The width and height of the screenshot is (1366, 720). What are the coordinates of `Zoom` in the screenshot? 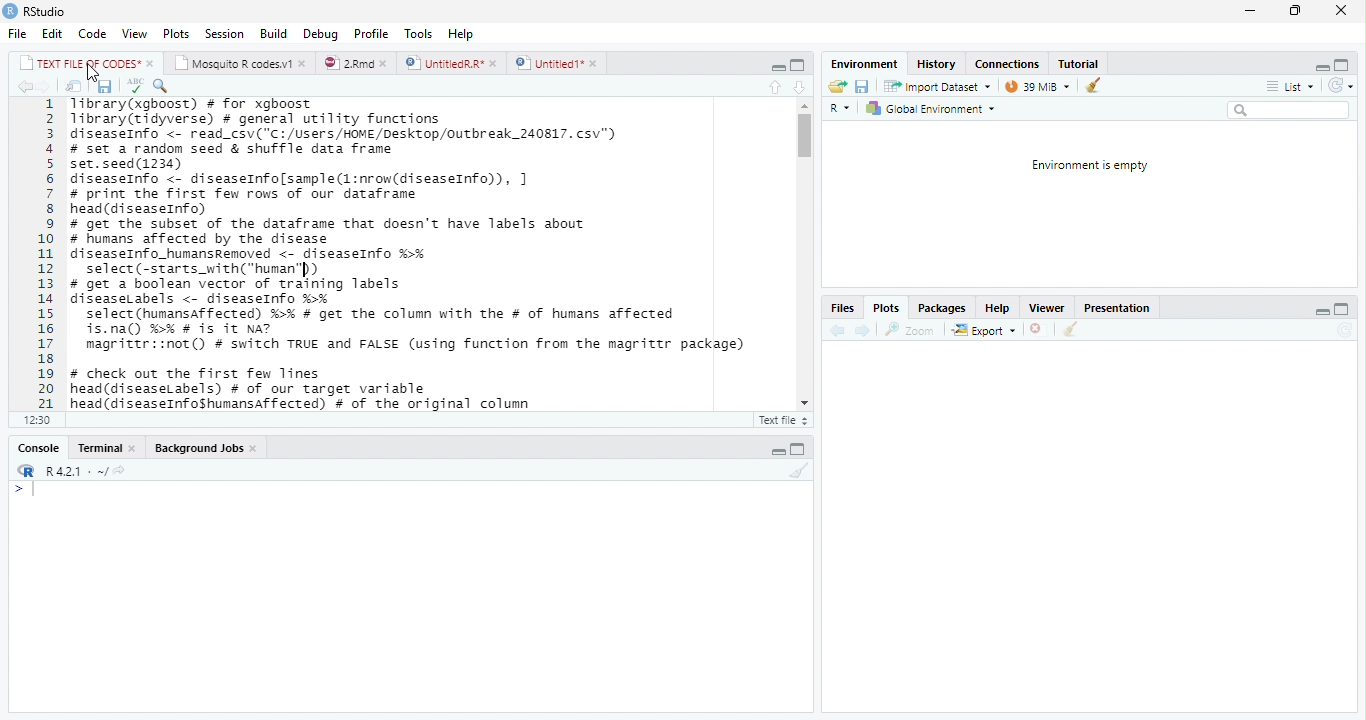 It's located at (911, 328).